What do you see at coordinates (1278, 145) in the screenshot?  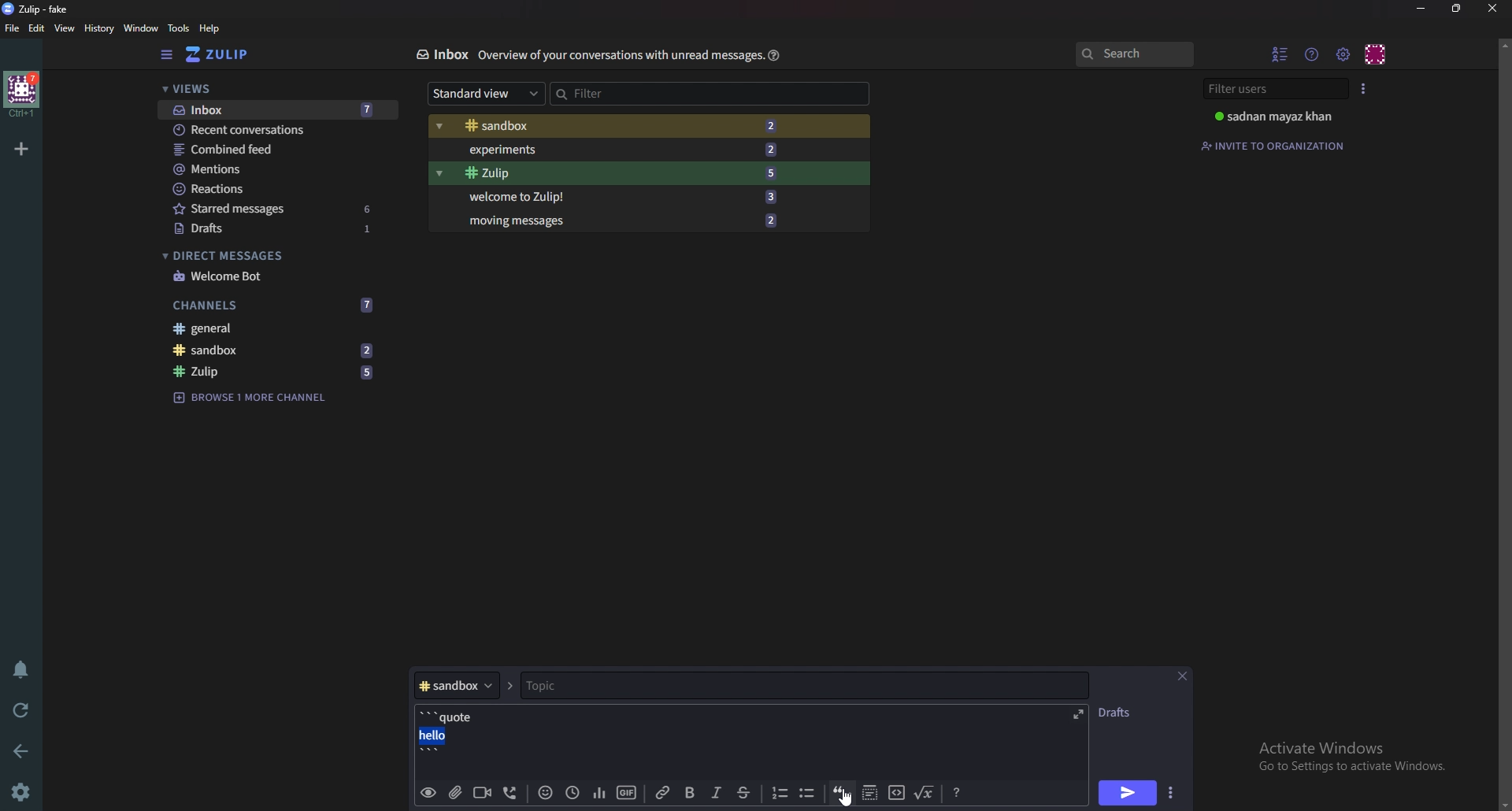 I see `Invite to organization` at bounding box center [1278, 145].